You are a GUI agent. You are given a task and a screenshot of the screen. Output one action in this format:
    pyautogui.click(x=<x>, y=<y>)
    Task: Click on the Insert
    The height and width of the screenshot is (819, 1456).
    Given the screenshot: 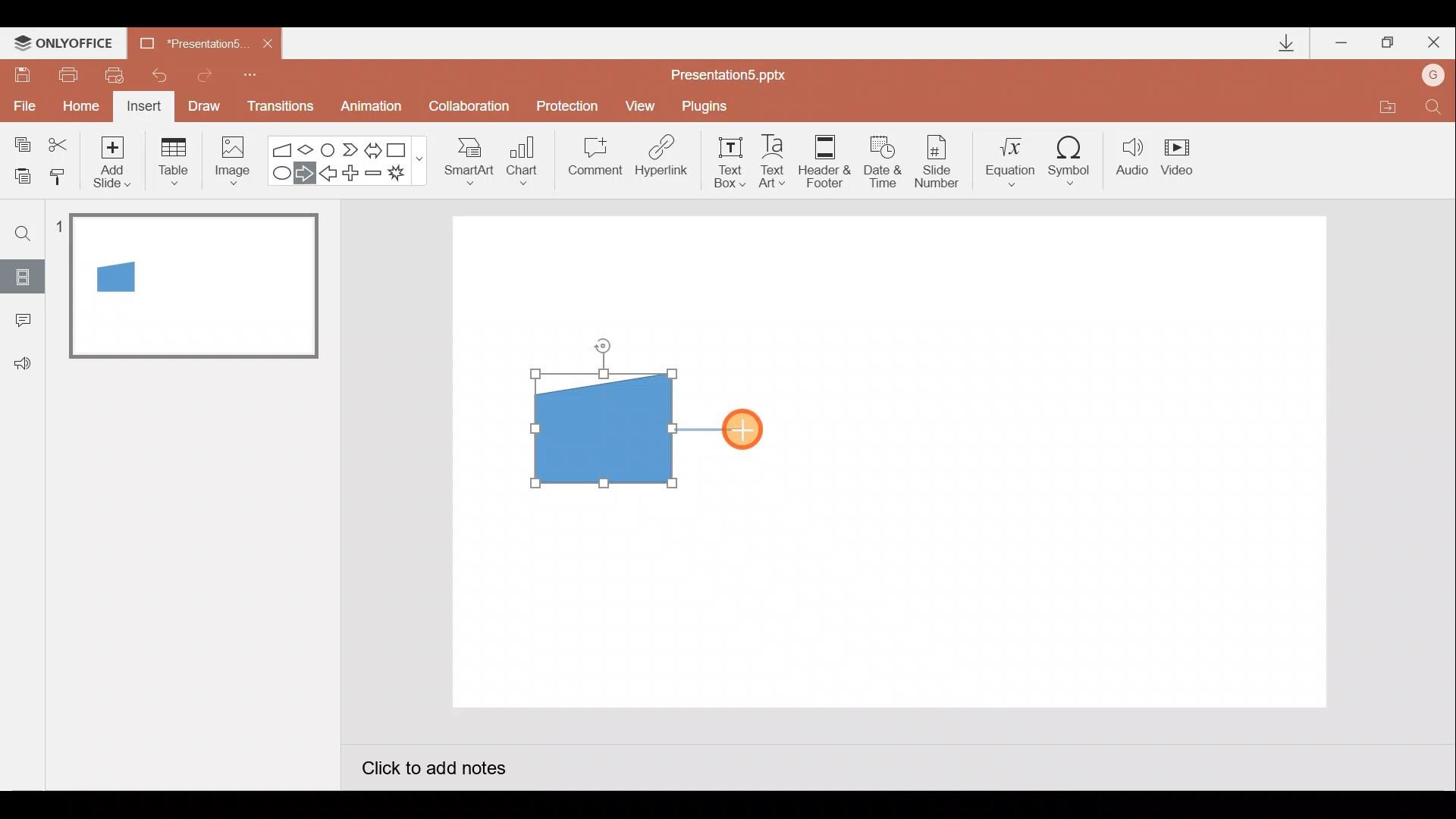 What is the action you would take?
    pyautogui.click(x=142, y=108)
    